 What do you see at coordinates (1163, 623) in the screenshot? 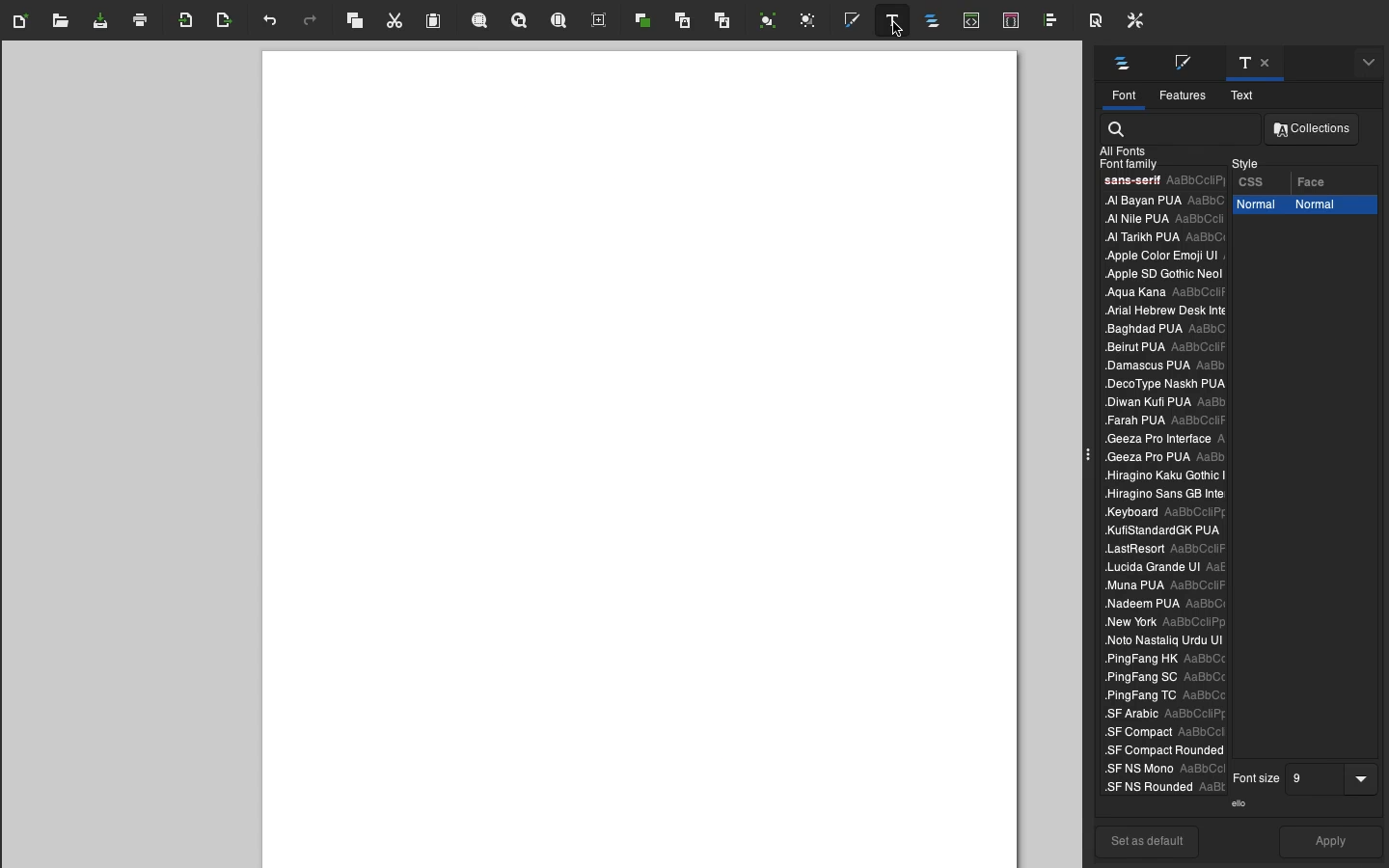
I see `.New York` at bounding box center [1163, 623].